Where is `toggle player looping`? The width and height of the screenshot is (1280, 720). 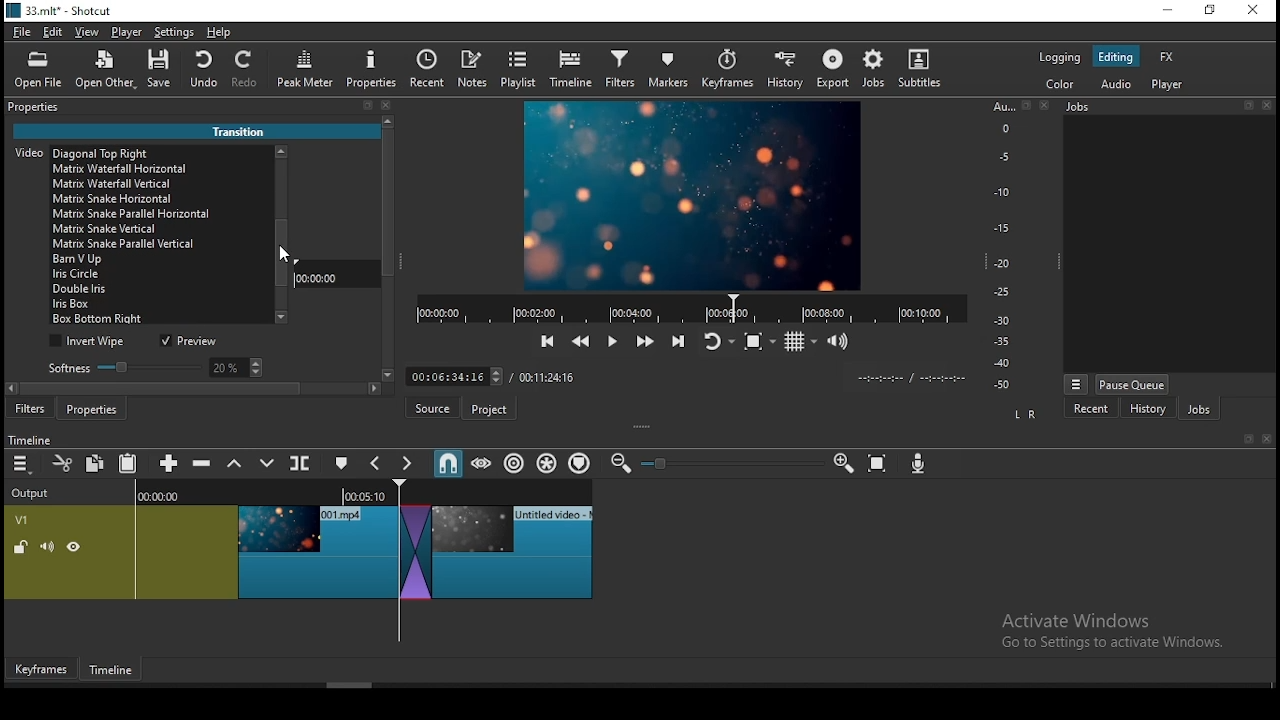 toggle player looping is located at coordinates (716, 343).